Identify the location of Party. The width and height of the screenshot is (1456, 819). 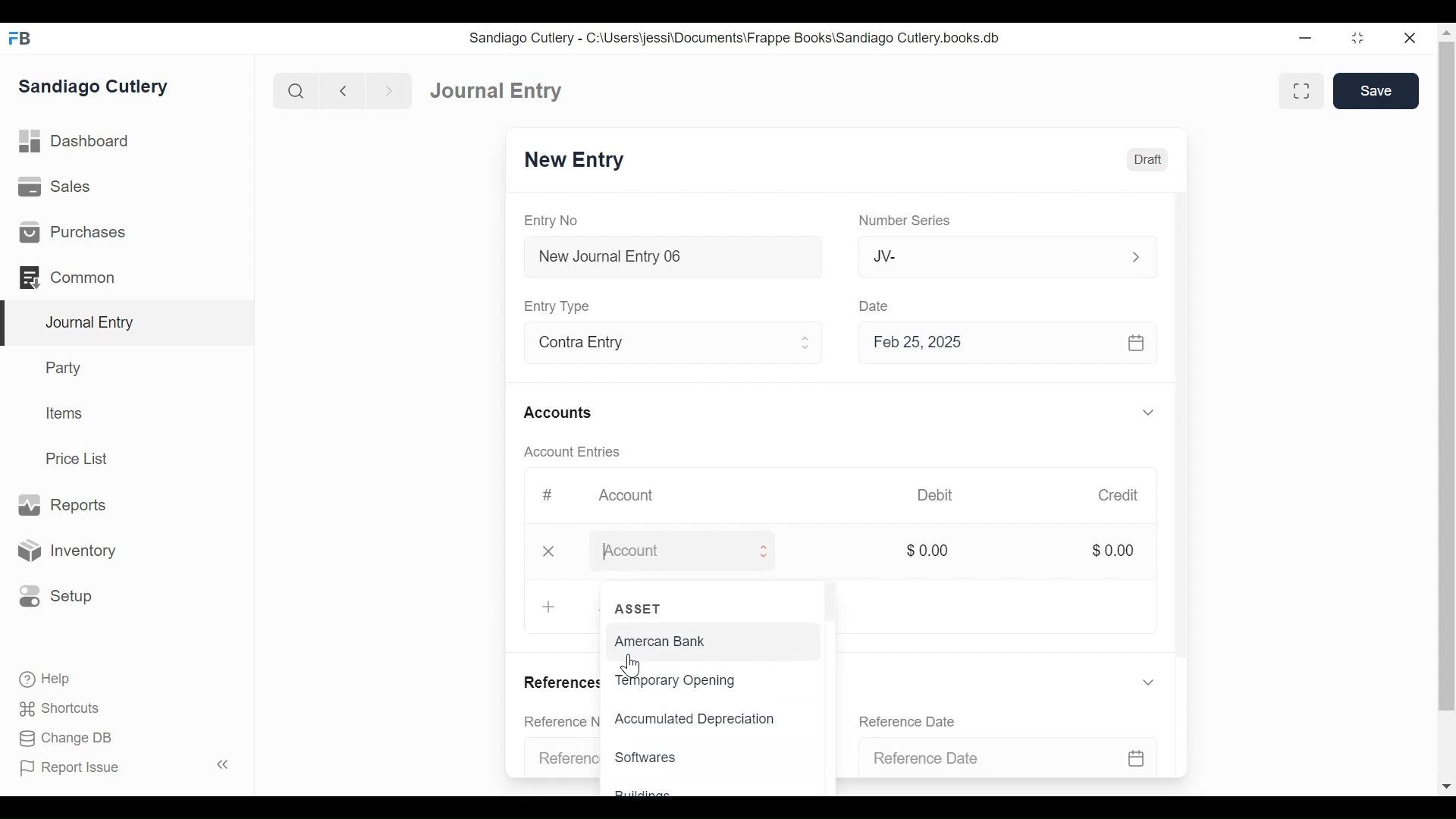
(67, 367).